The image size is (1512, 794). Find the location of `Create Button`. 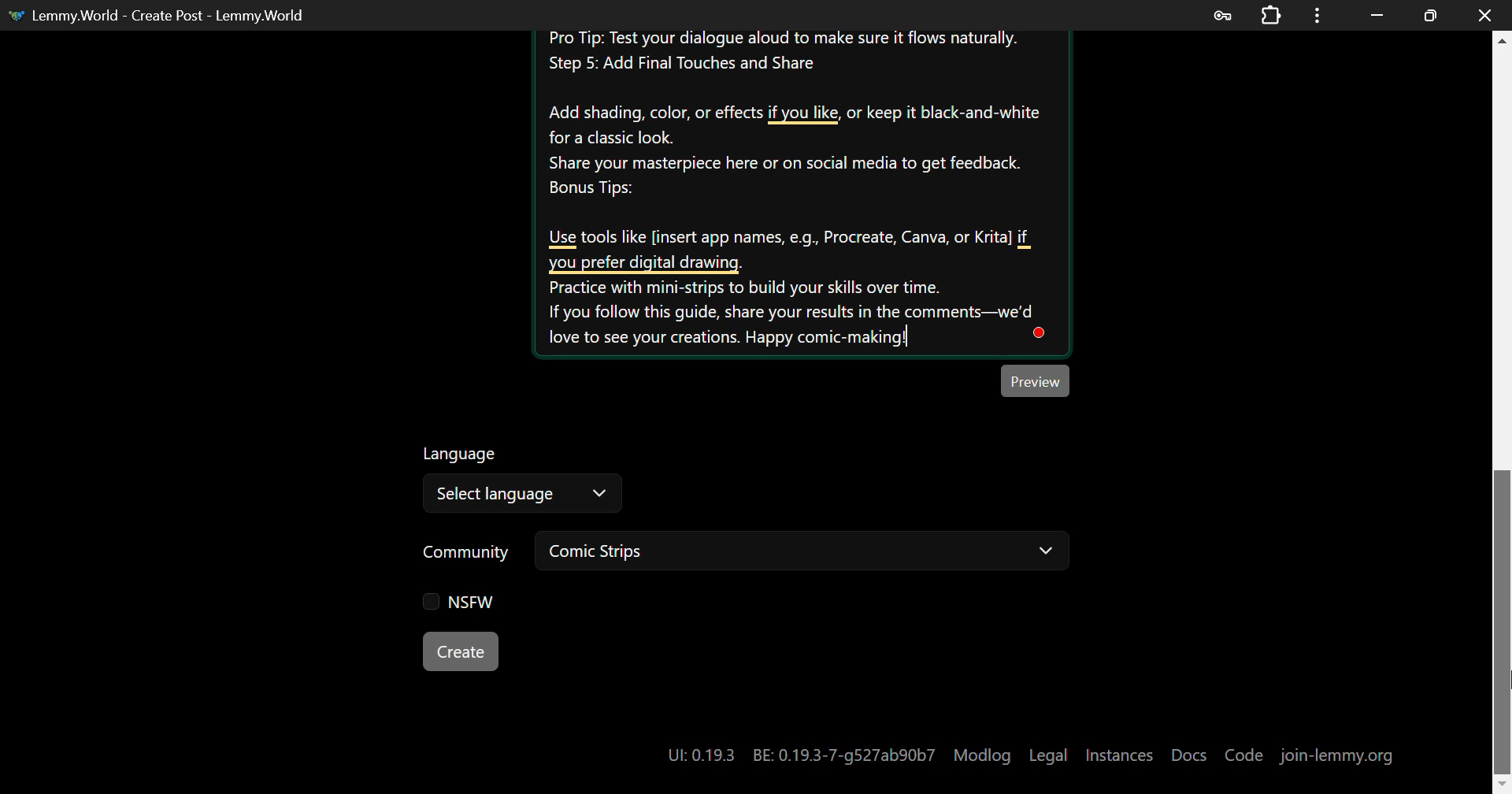

Create Button is located at coordinates (461, 650).